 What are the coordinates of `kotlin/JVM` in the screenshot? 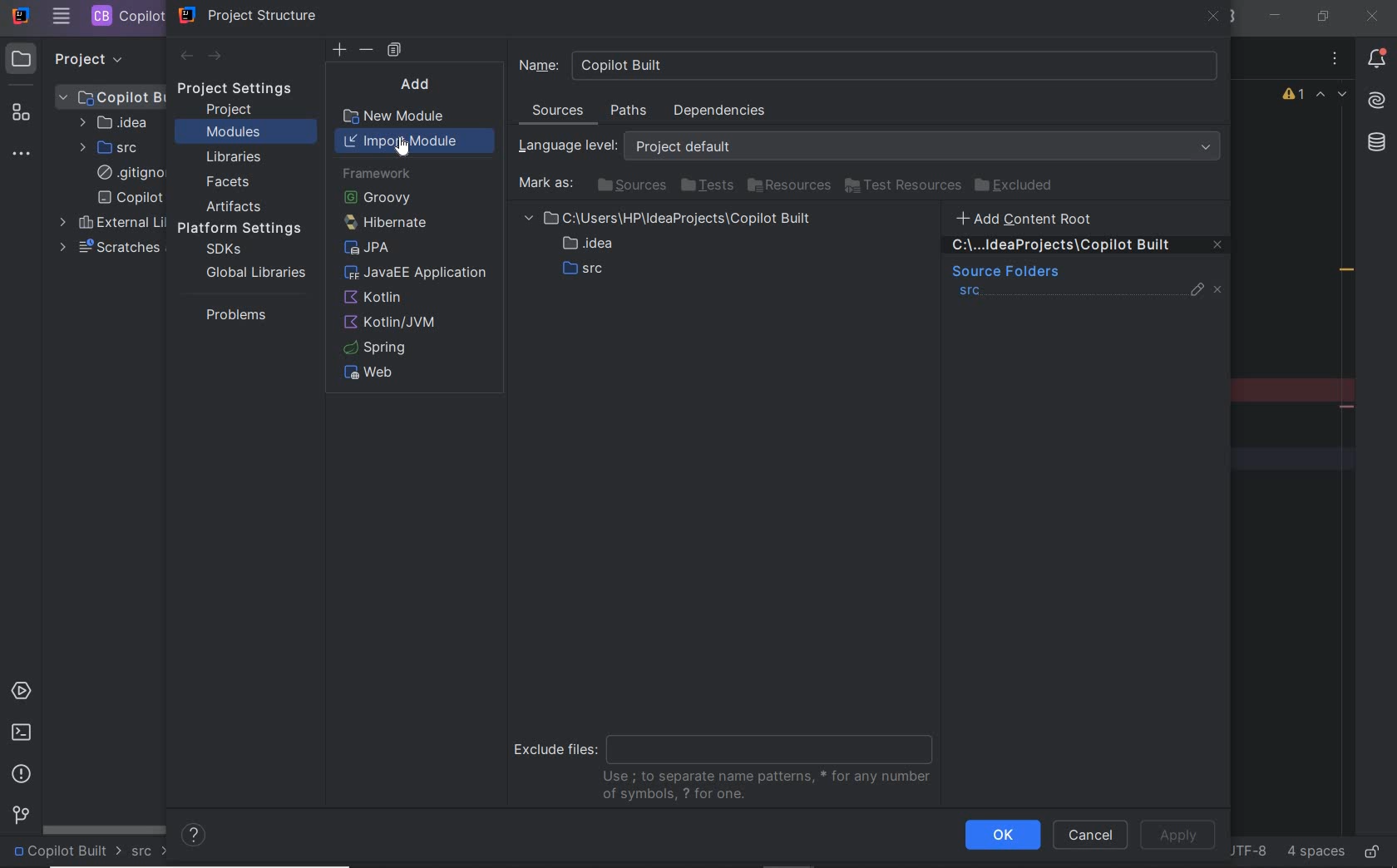 It's located at (394, 323).